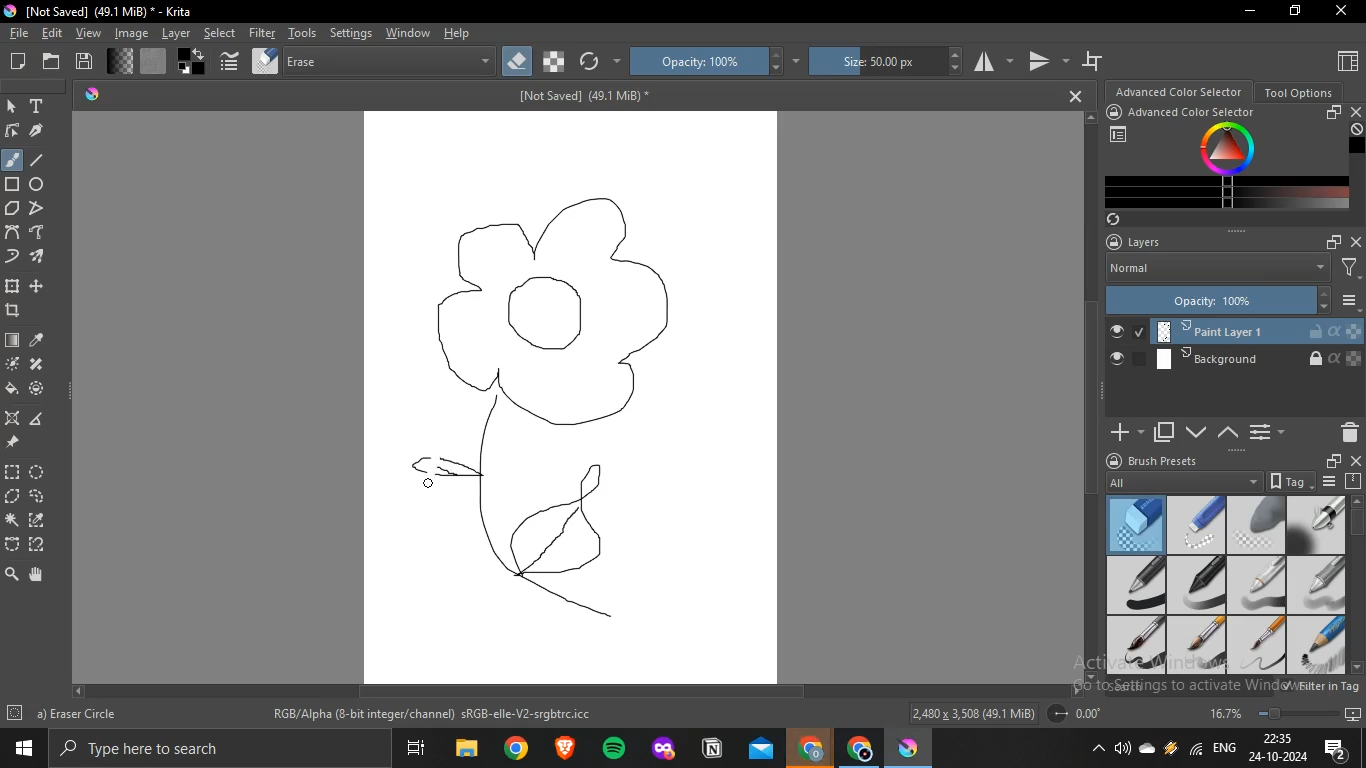  Describe the element at coordinates (1123, 426) in the screenshot. I see `Add` at that location.